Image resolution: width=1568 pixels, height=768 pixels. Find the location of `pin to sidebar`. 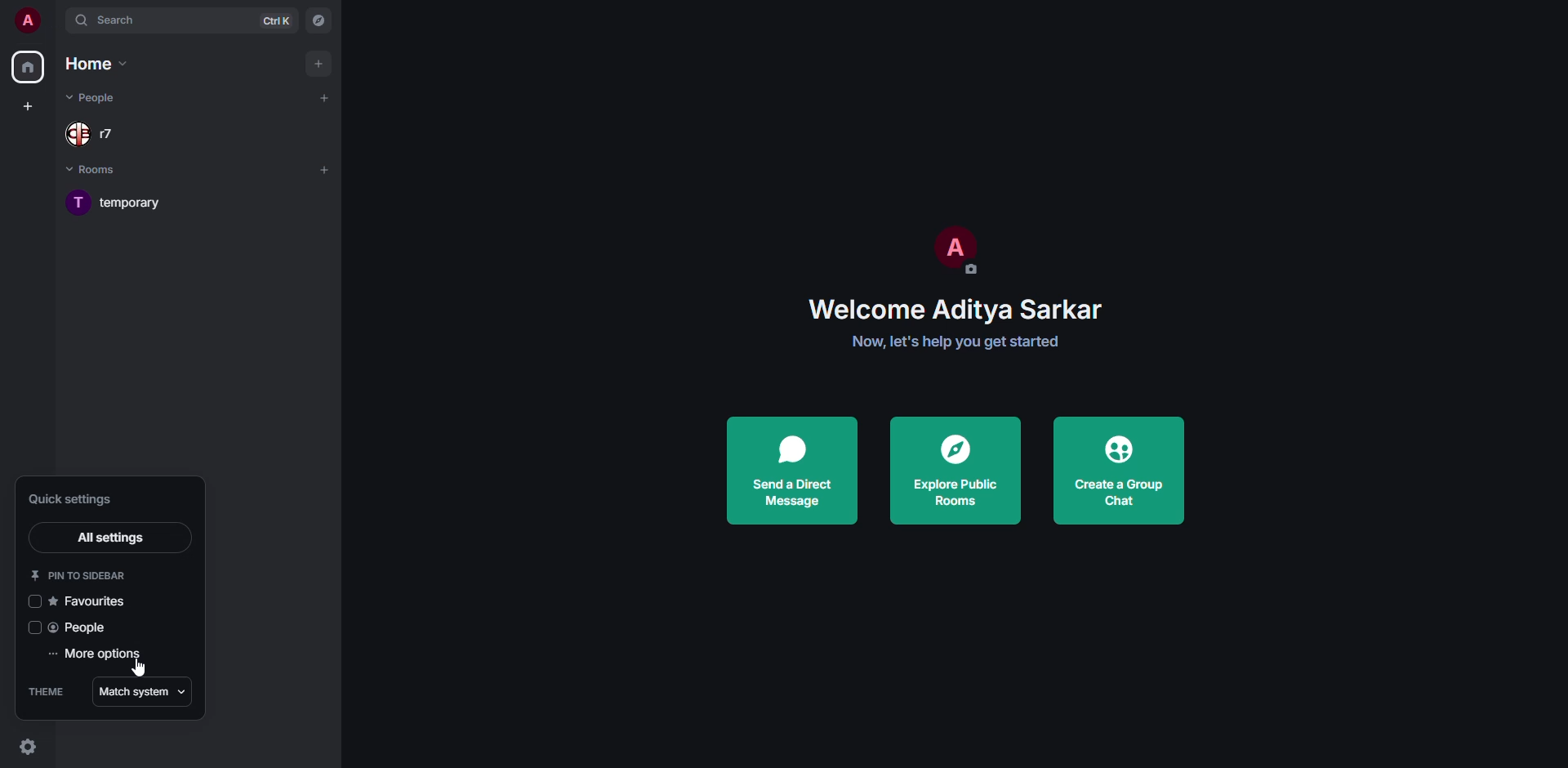

pin to sidebar is located at coordinates (83, 575).